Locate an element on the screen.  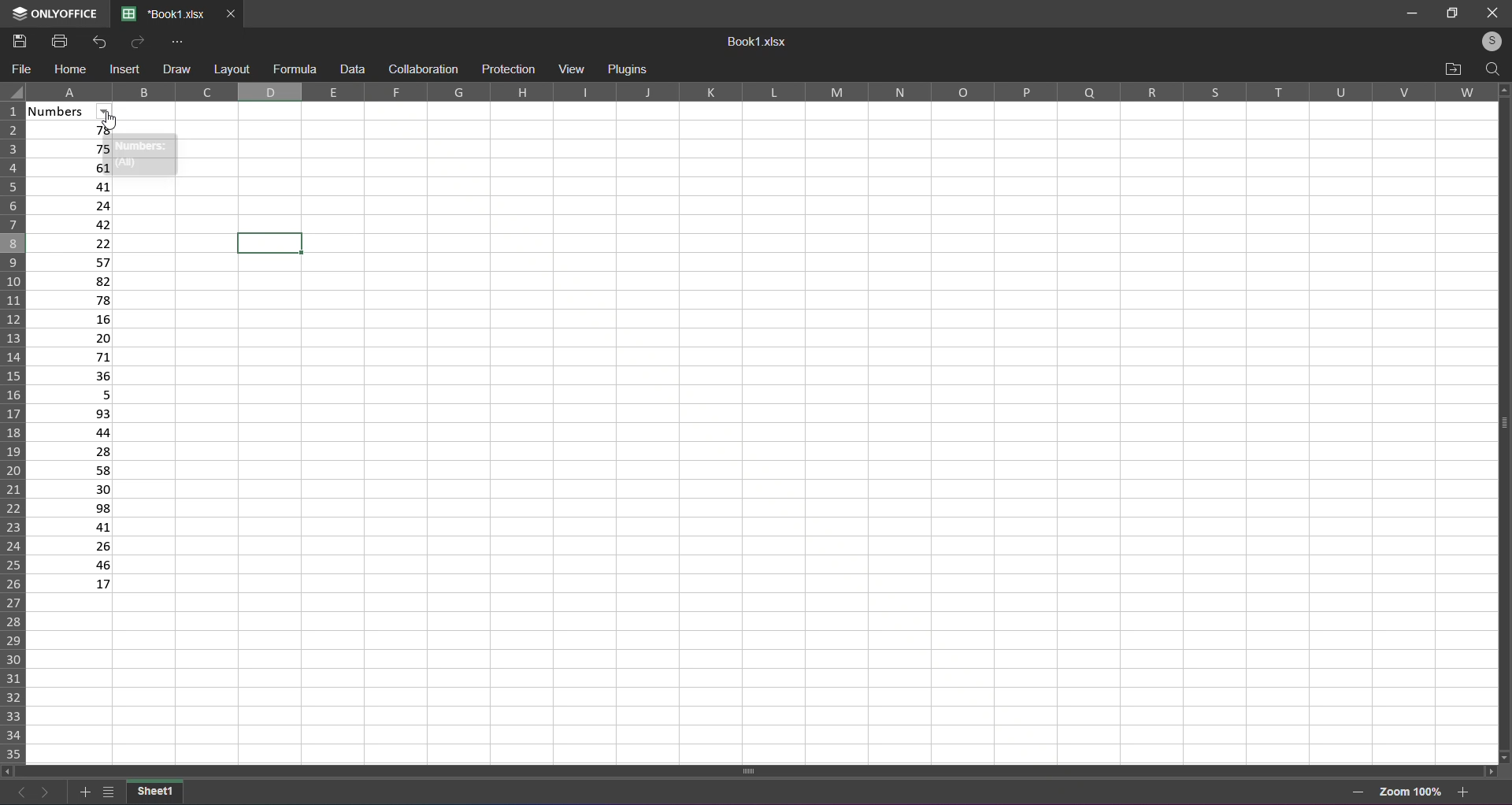
Numbers is located at coordinates (78, 113).